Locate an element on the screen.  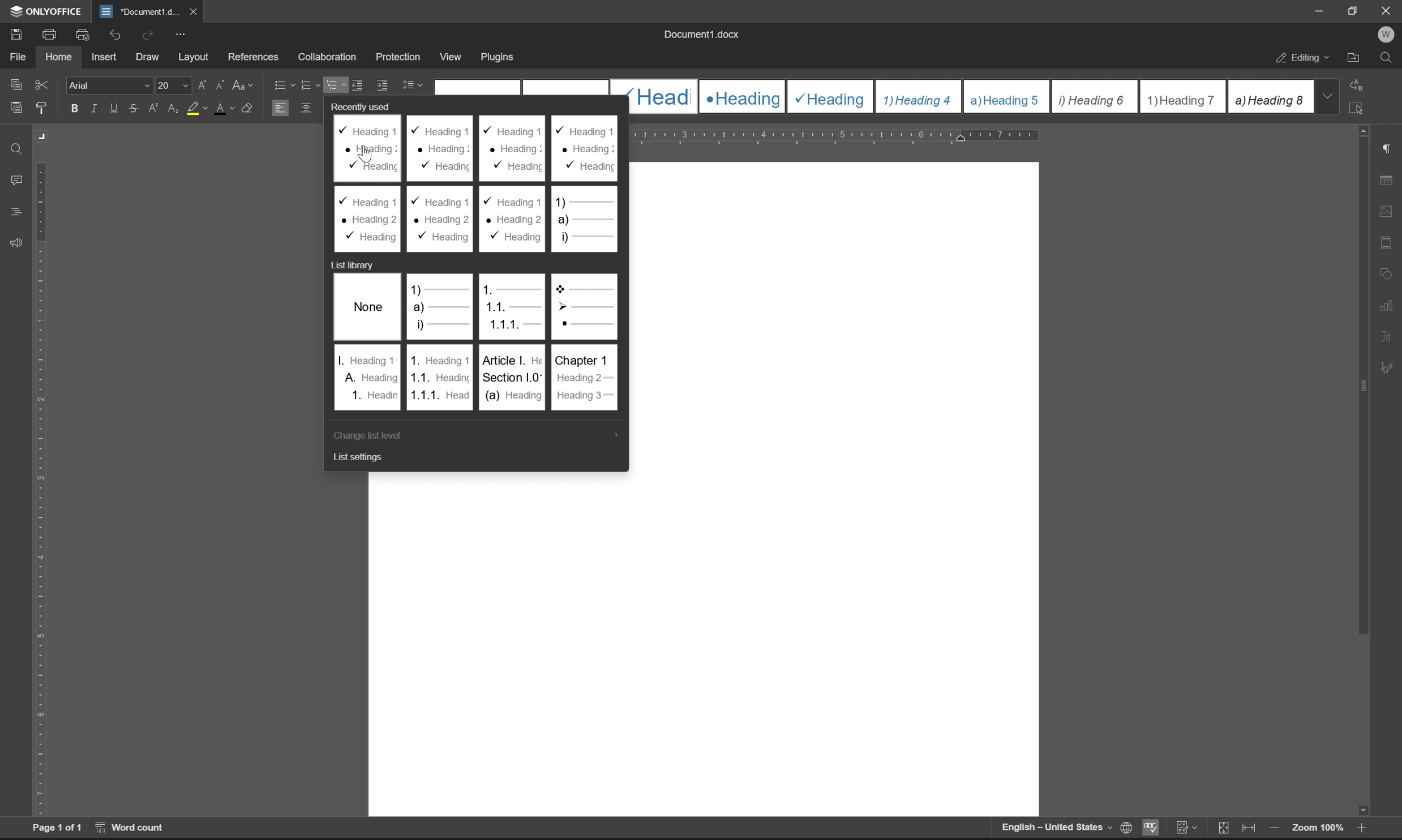
list history is located at coordinates (350, 264).